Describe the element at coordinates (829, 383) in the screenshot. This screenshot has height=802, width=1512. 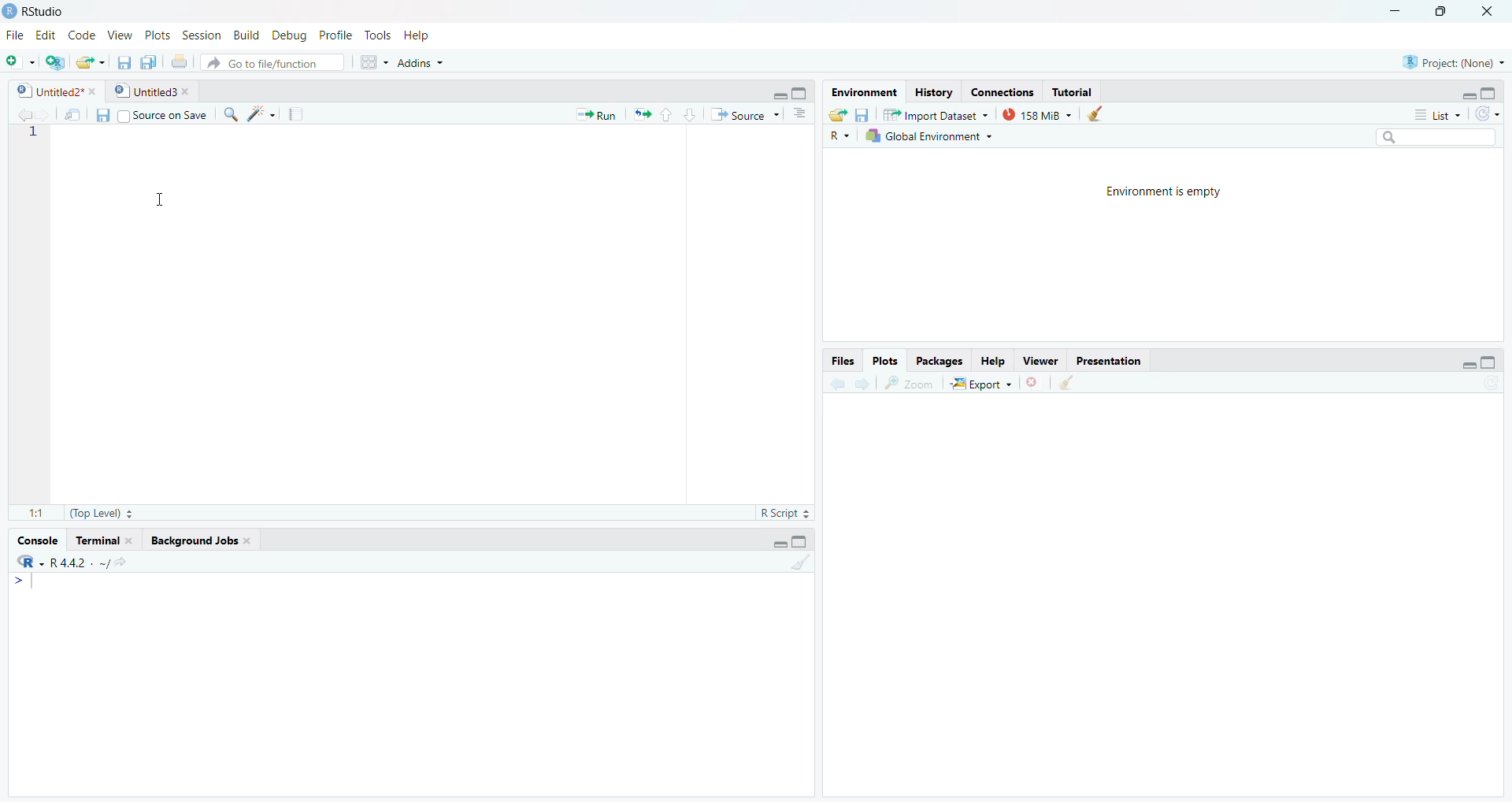
I see `backward` at that location.